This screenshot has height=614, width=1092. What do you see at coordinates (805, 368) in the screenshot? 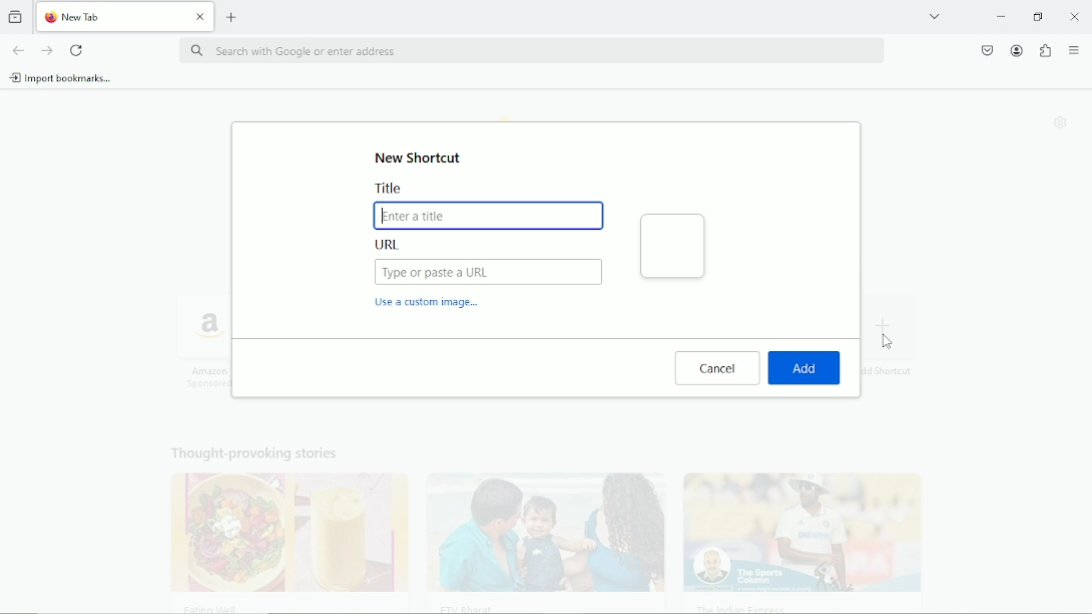
I see `Add` at bounding box center [805, 368].